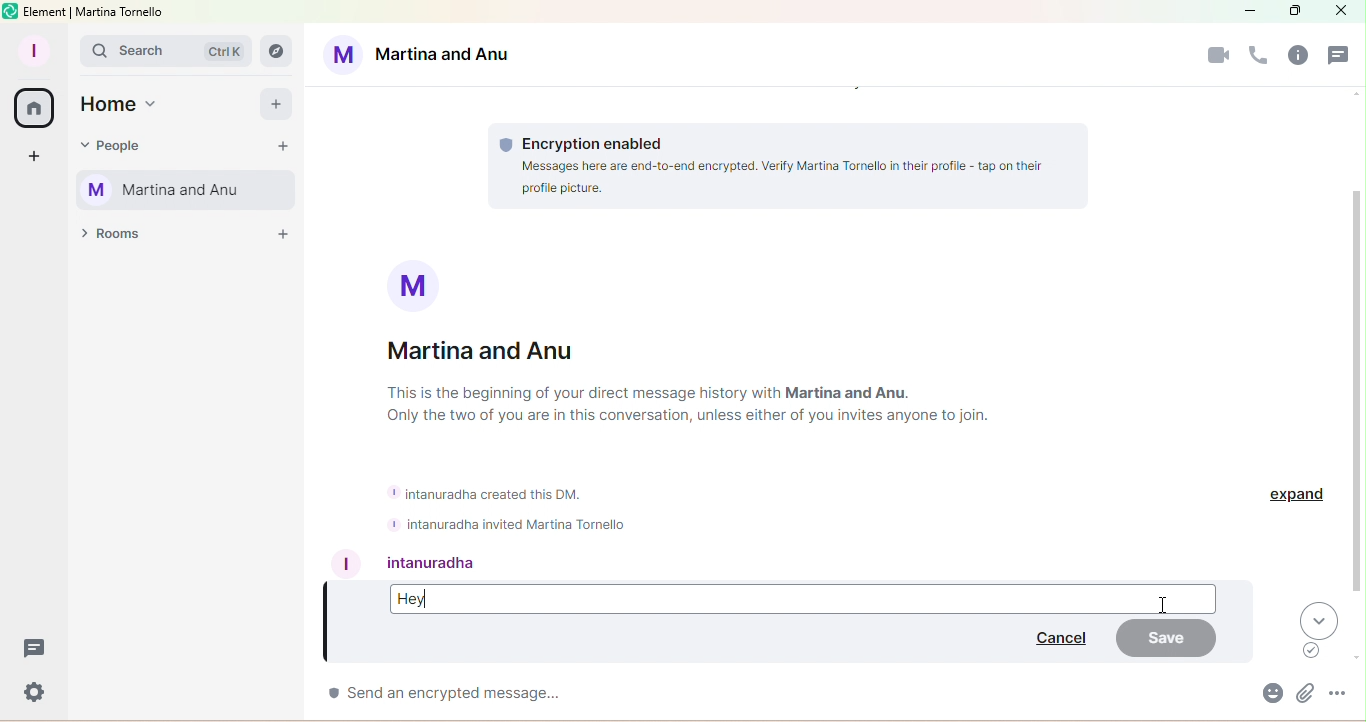 The width and height of the screenshot is (1366, 722). What do you see at coordinates (1164, 608) in the screenshot?
I see `Cursor` at bounding box center [1164, 608].